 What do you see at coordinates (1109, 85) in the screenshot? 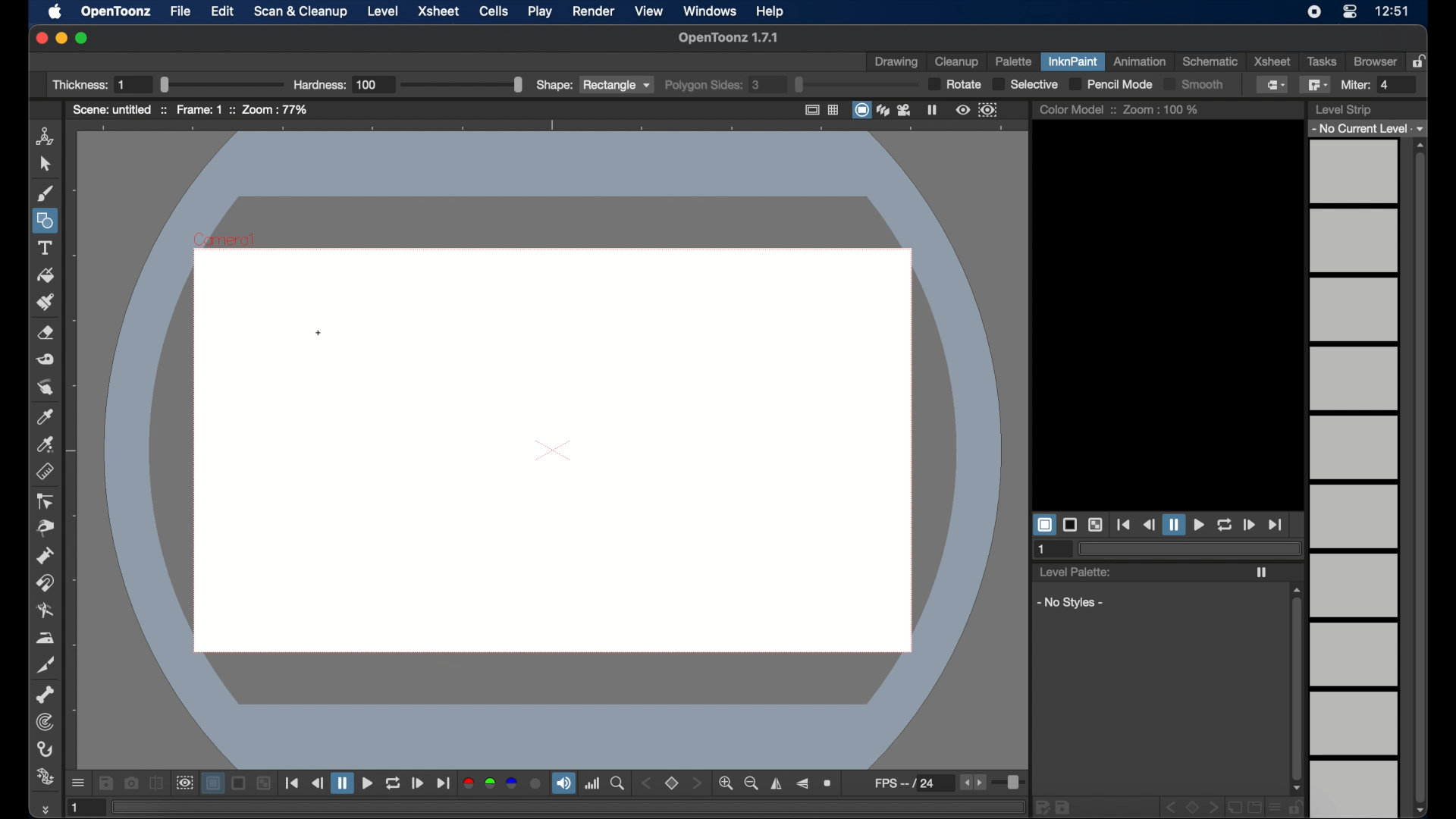
I see `pencil mode` at bounding box center [1109, 85].